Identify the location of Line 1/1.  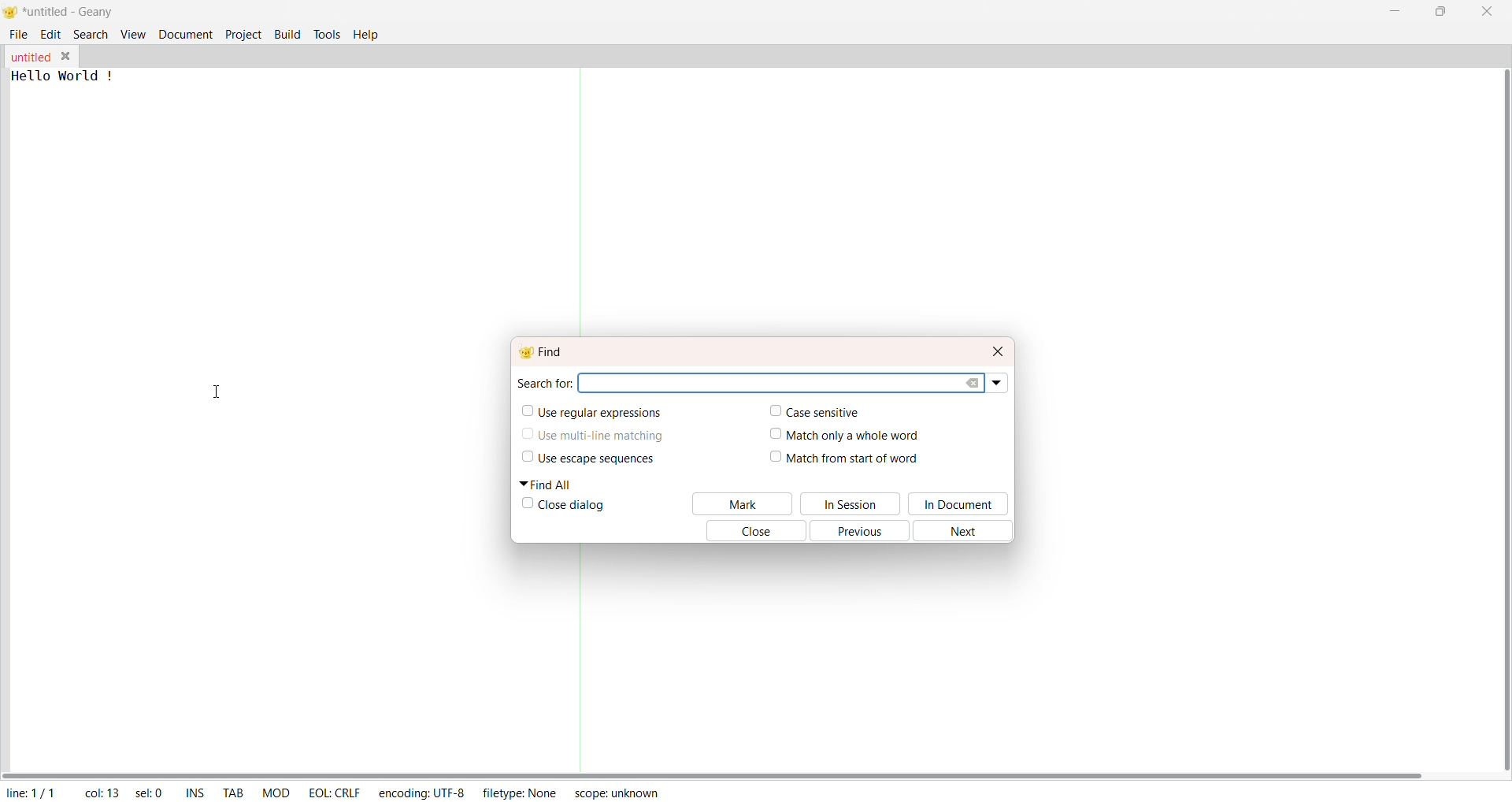
(35, 790).